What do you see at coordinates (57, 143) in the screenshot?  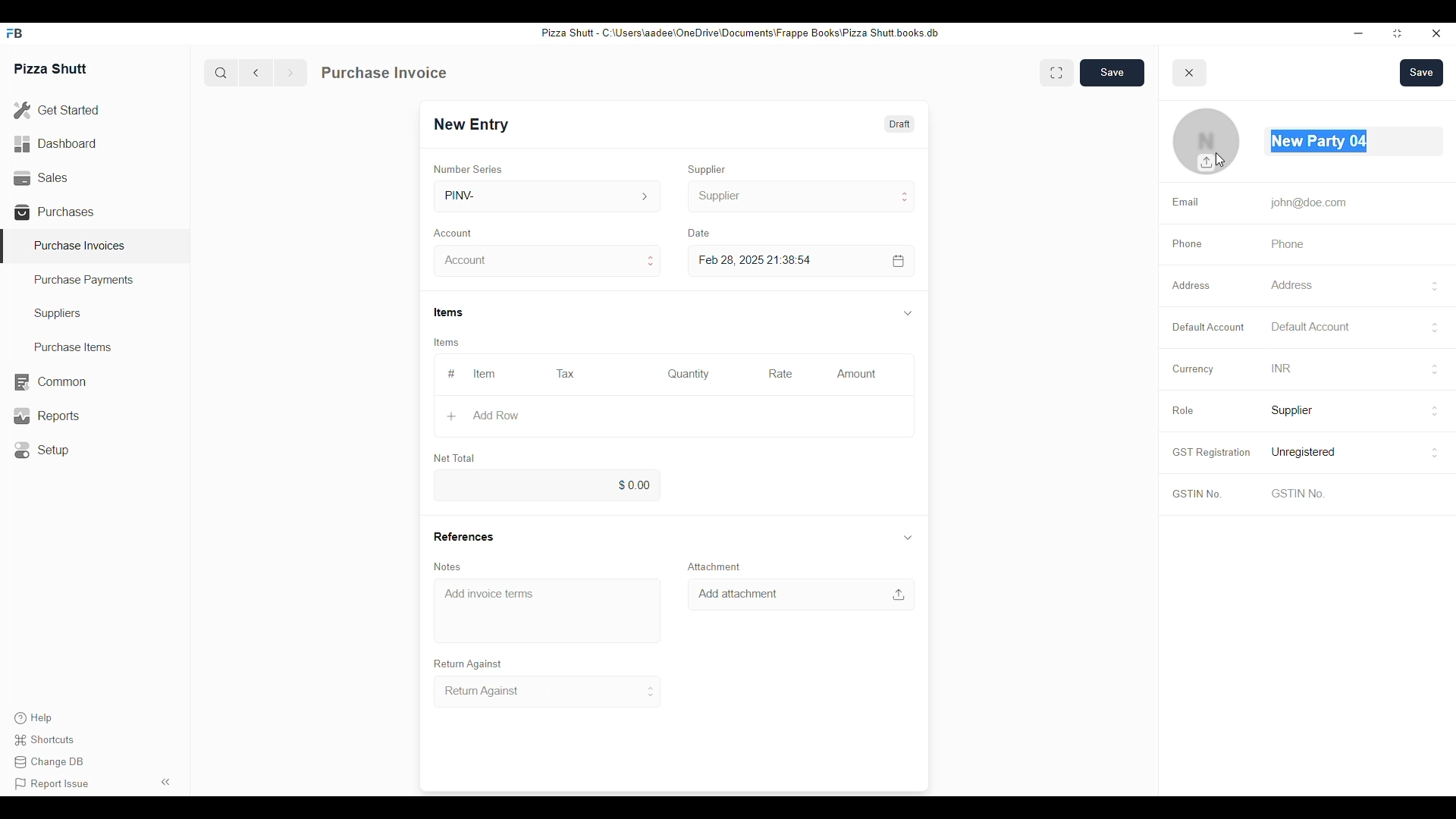 I see `Dashboard` at bounding box center [57, 143].